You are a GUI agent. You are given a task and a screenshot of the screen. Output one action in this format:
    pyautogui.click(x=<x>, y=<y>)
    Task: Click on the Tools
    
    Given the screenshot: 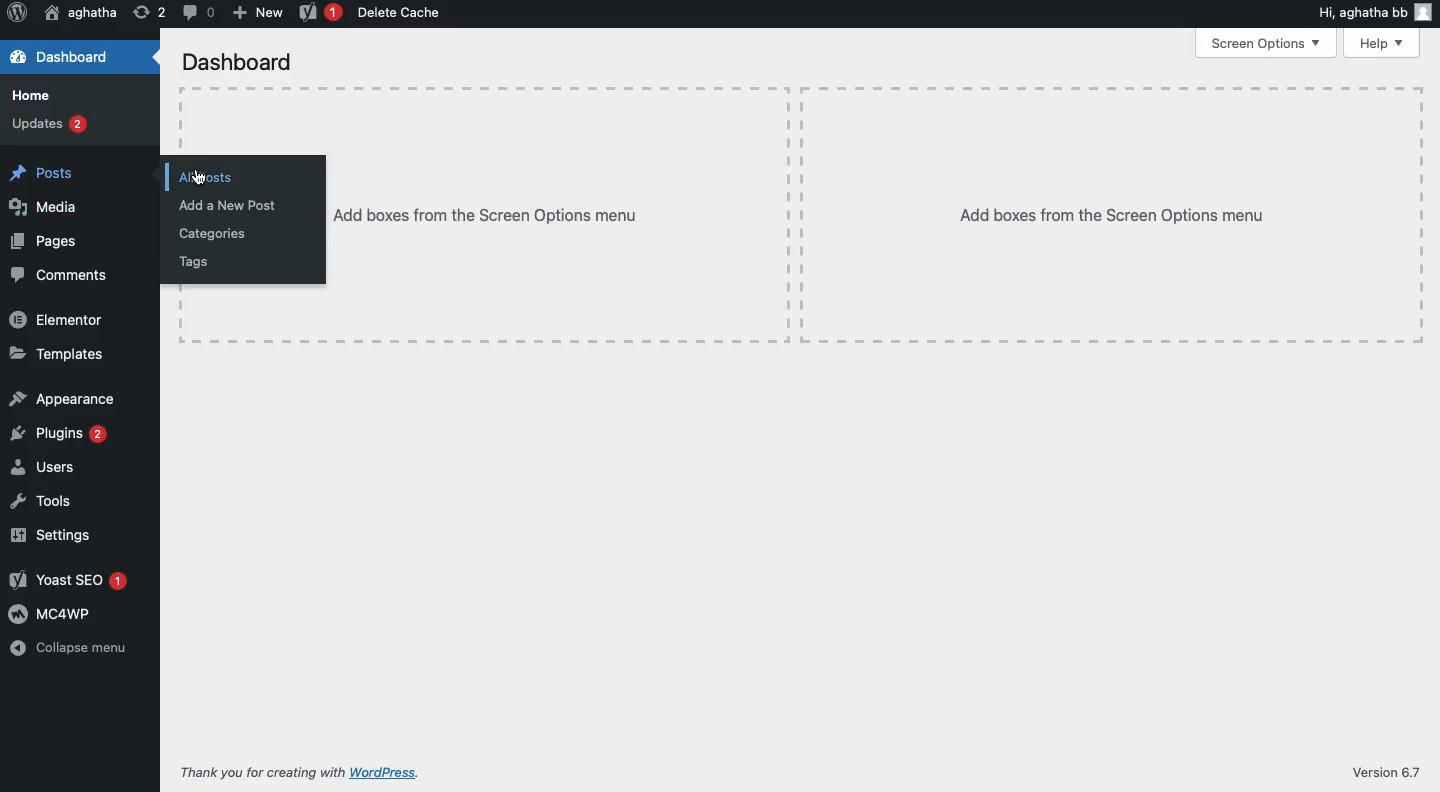 What is the action you would take?
    pyautogui.click(x=43, y=499)
    